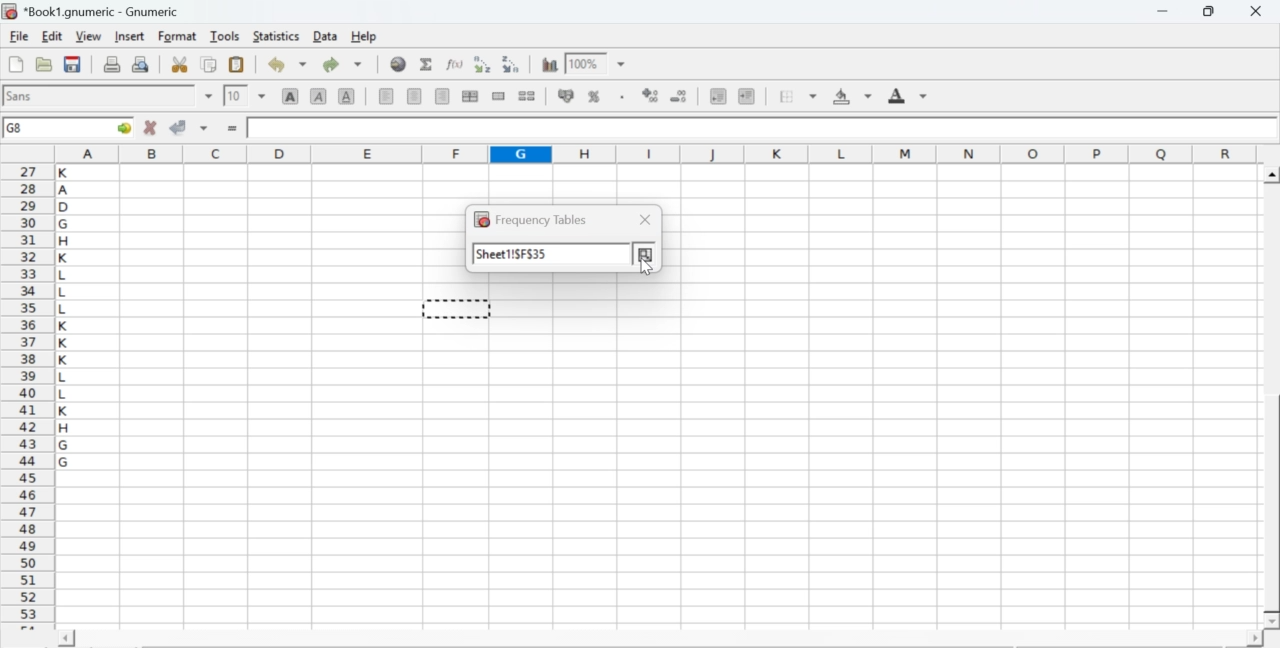  Describe the element at coordinates (485, 64) in the screenshot. I see `Sort the selected region in ascending order based on the first column selected` at that location.